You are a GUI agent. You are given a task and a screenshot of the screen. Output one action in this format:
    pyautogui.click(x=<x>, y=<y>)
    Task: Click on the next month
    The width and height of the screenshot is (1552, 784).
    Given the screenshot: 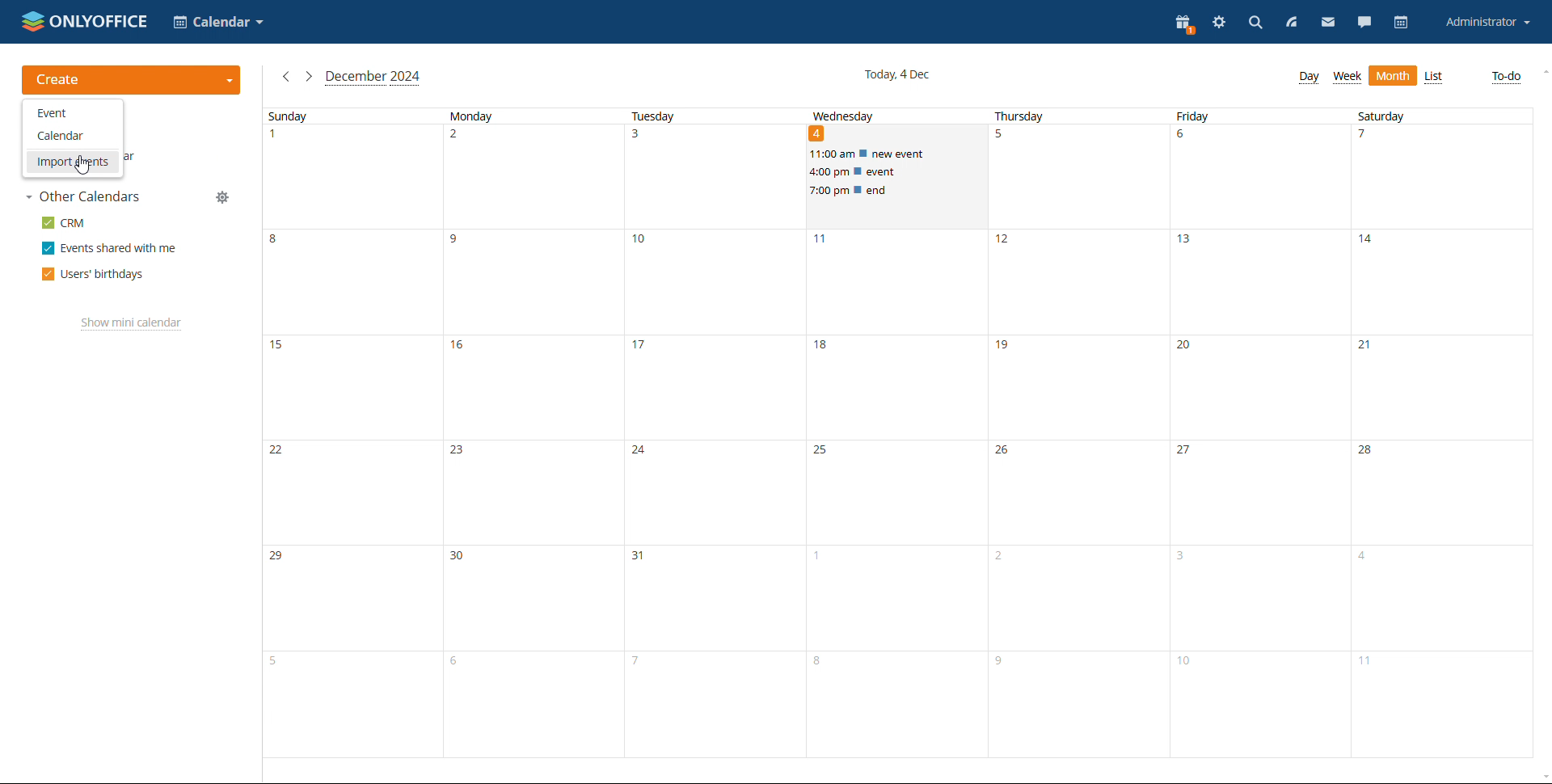 What is the action you would take?
    pyautogui.click(x=308, y=78)
    